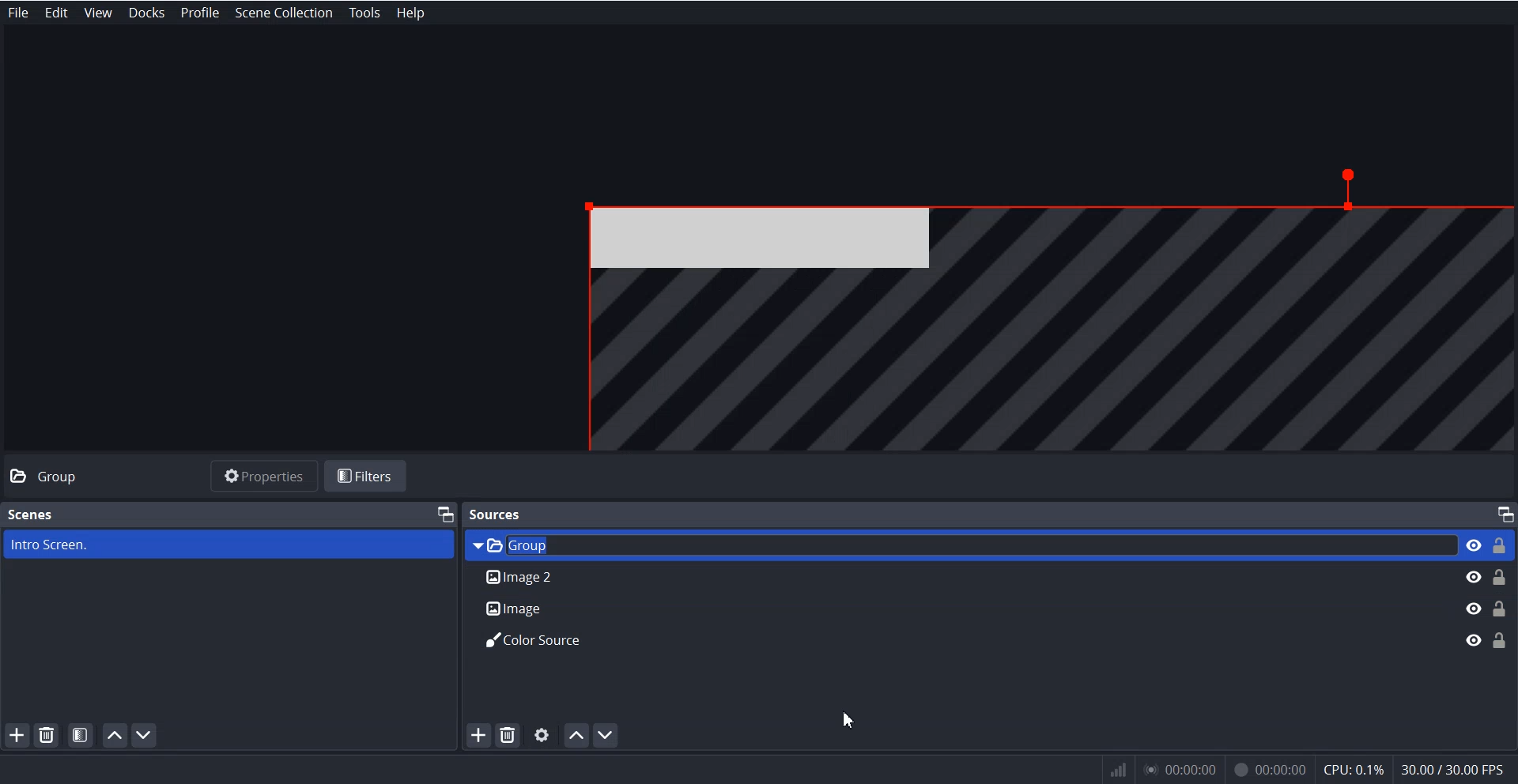 The height and width of the screenshot is (784, 1518). Describe the element at coordinates (368, 476) in the screenshot. I see `Filters` at that location.